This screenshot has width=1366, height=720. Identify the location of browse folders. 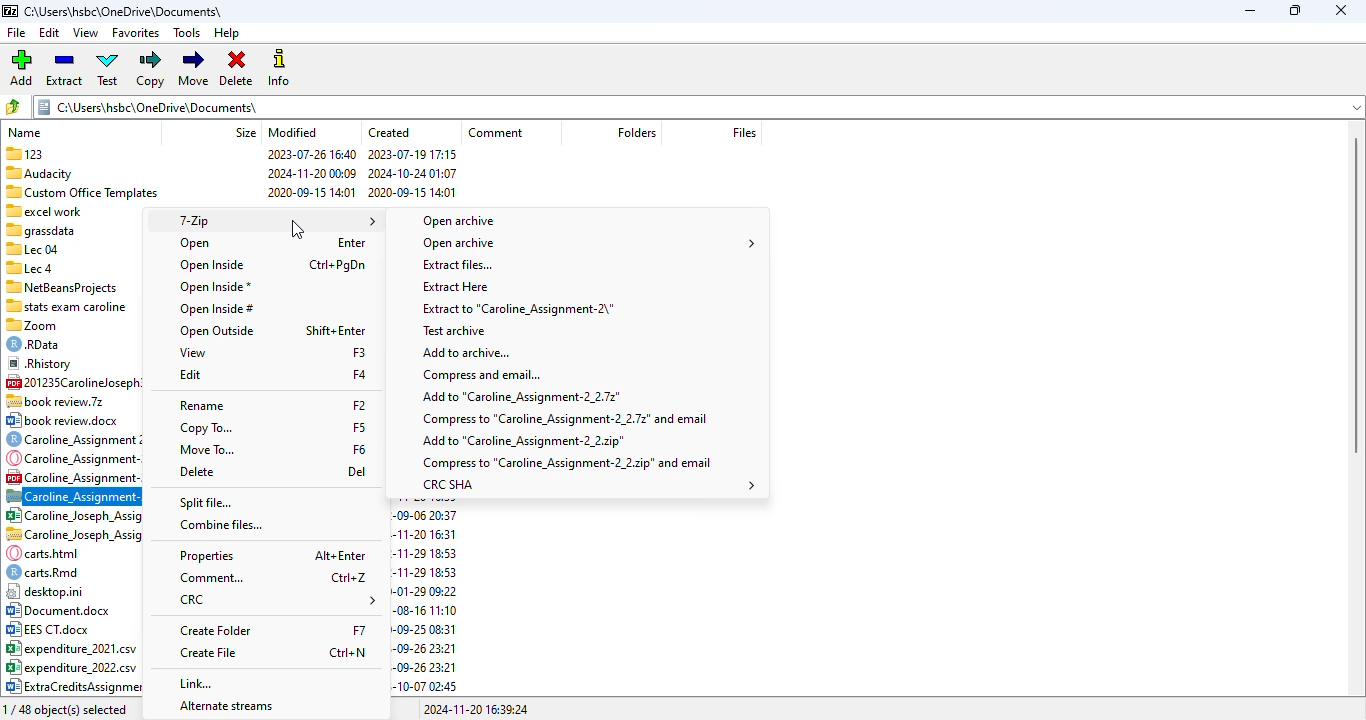
(13, 107).